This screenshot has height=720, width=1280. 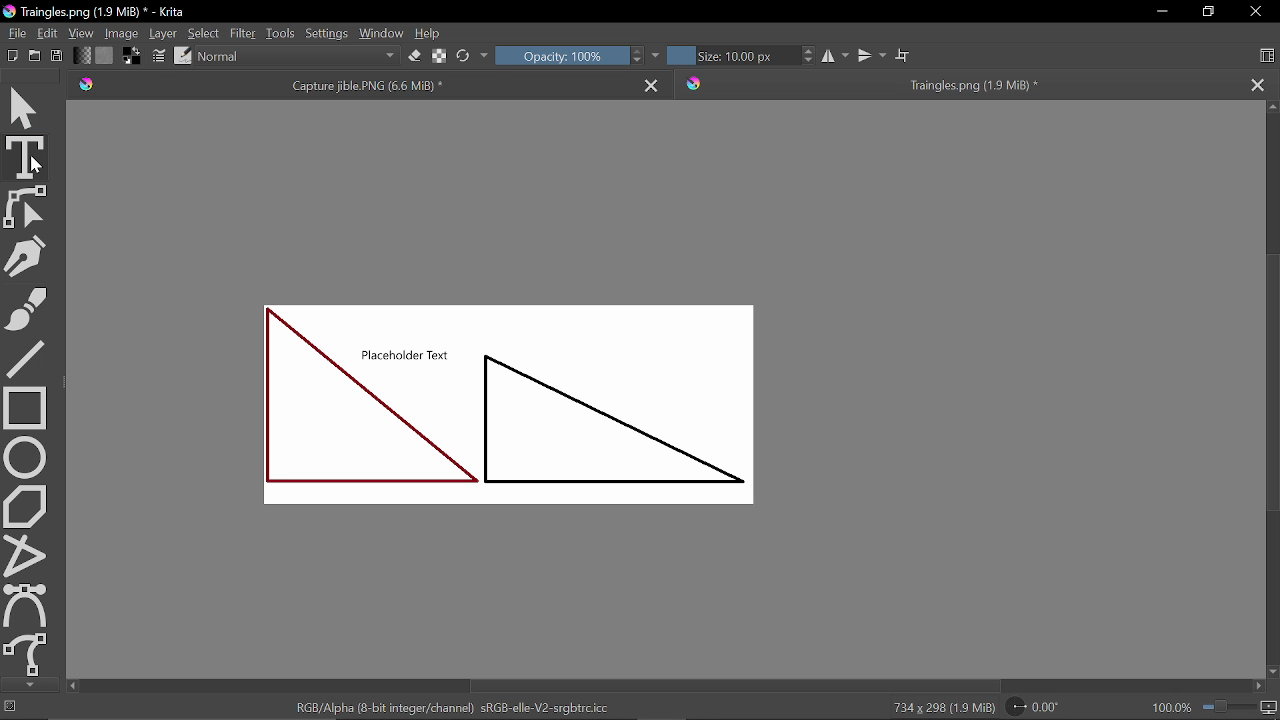 What do you see at coordinates (26, 603) in the screenshot?
I see `Bezier curve tool` at bounding box center [26, 603].